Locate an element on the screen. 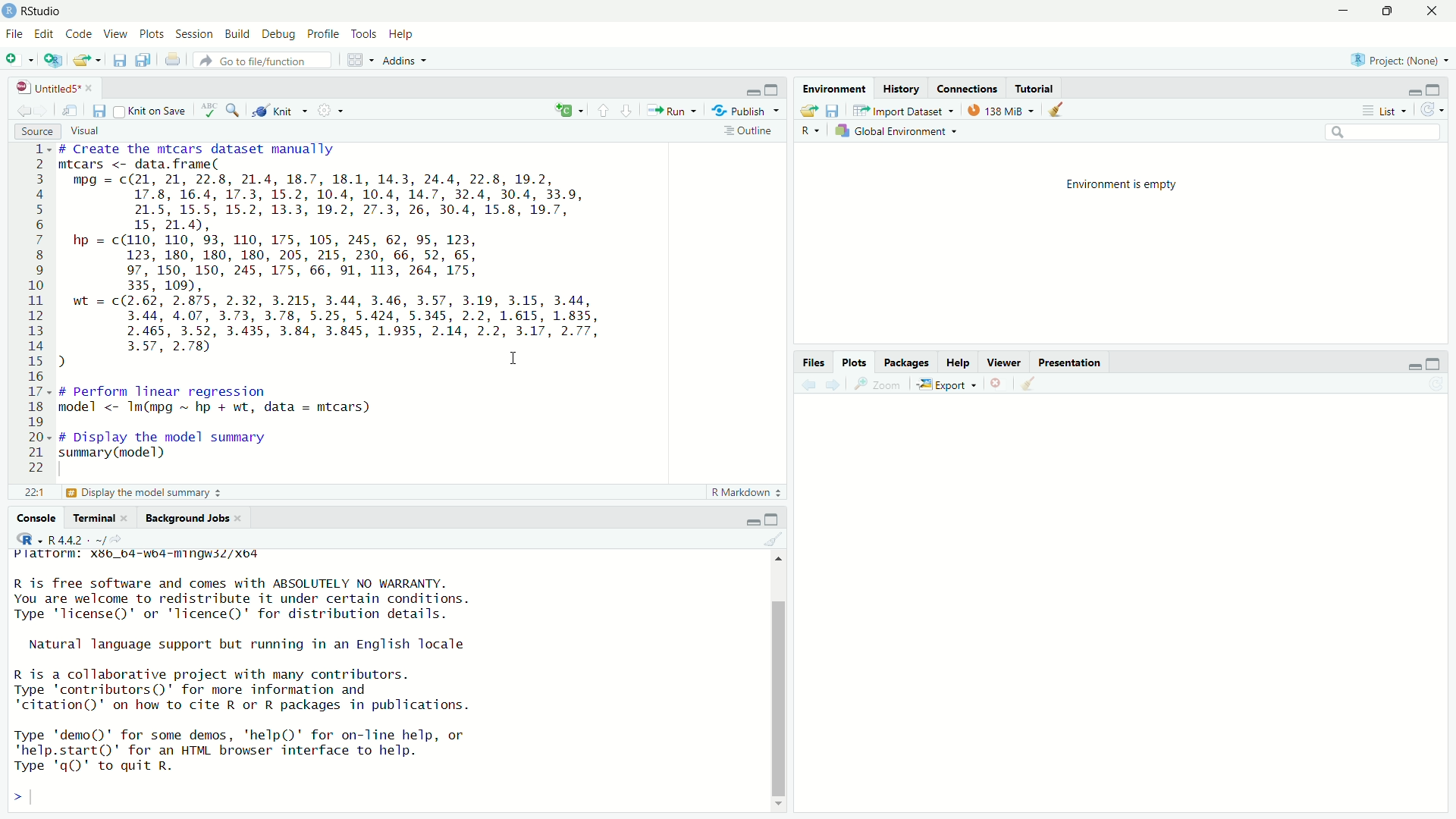 This screenshot has height=819, width=1456. save all is located at coordinates (146, 59).